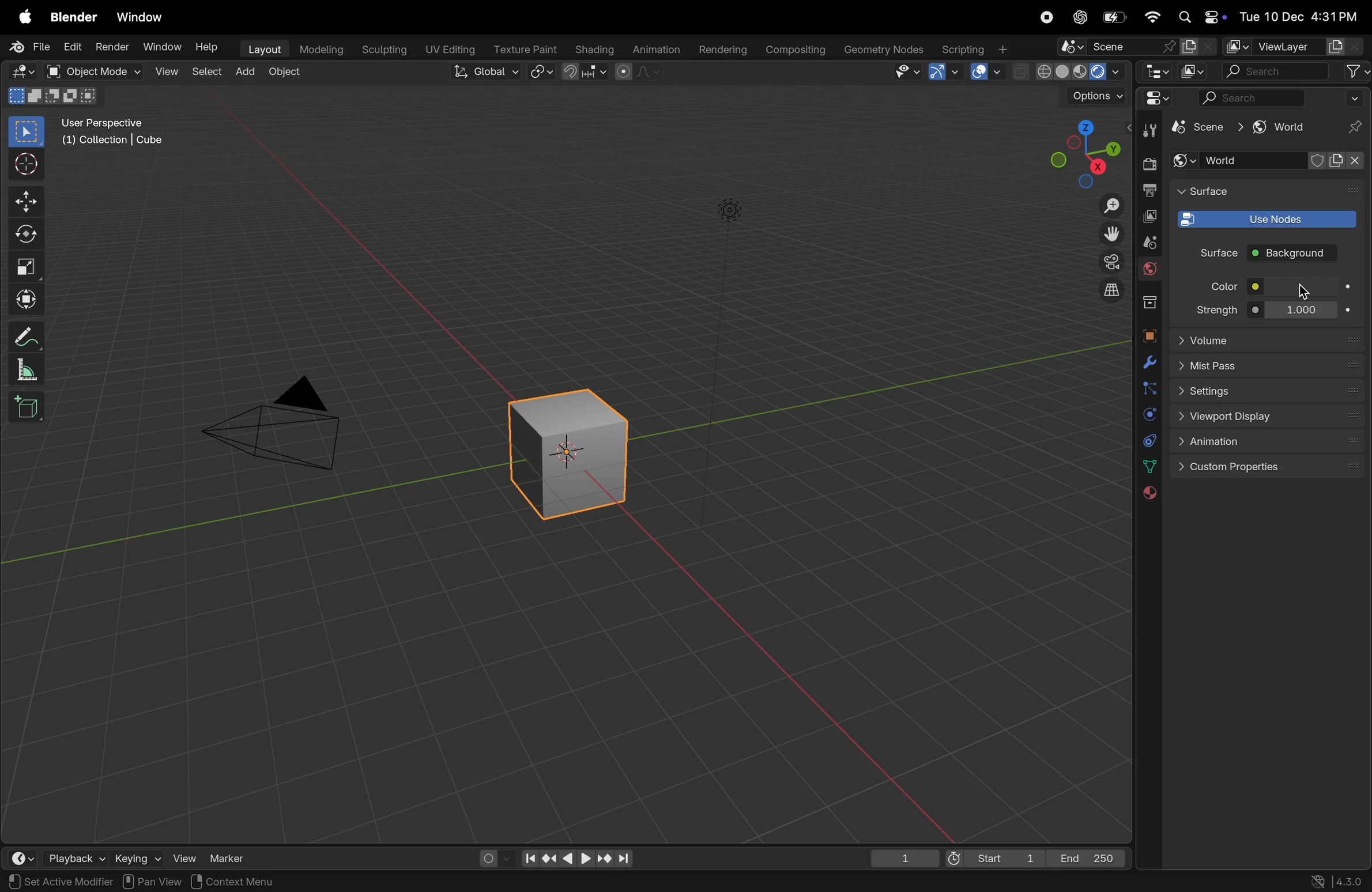 This screenshot has width=1372, height=892. Describe the element at coordinates (1050, 19) in the screenshot. I see `record` at that location.